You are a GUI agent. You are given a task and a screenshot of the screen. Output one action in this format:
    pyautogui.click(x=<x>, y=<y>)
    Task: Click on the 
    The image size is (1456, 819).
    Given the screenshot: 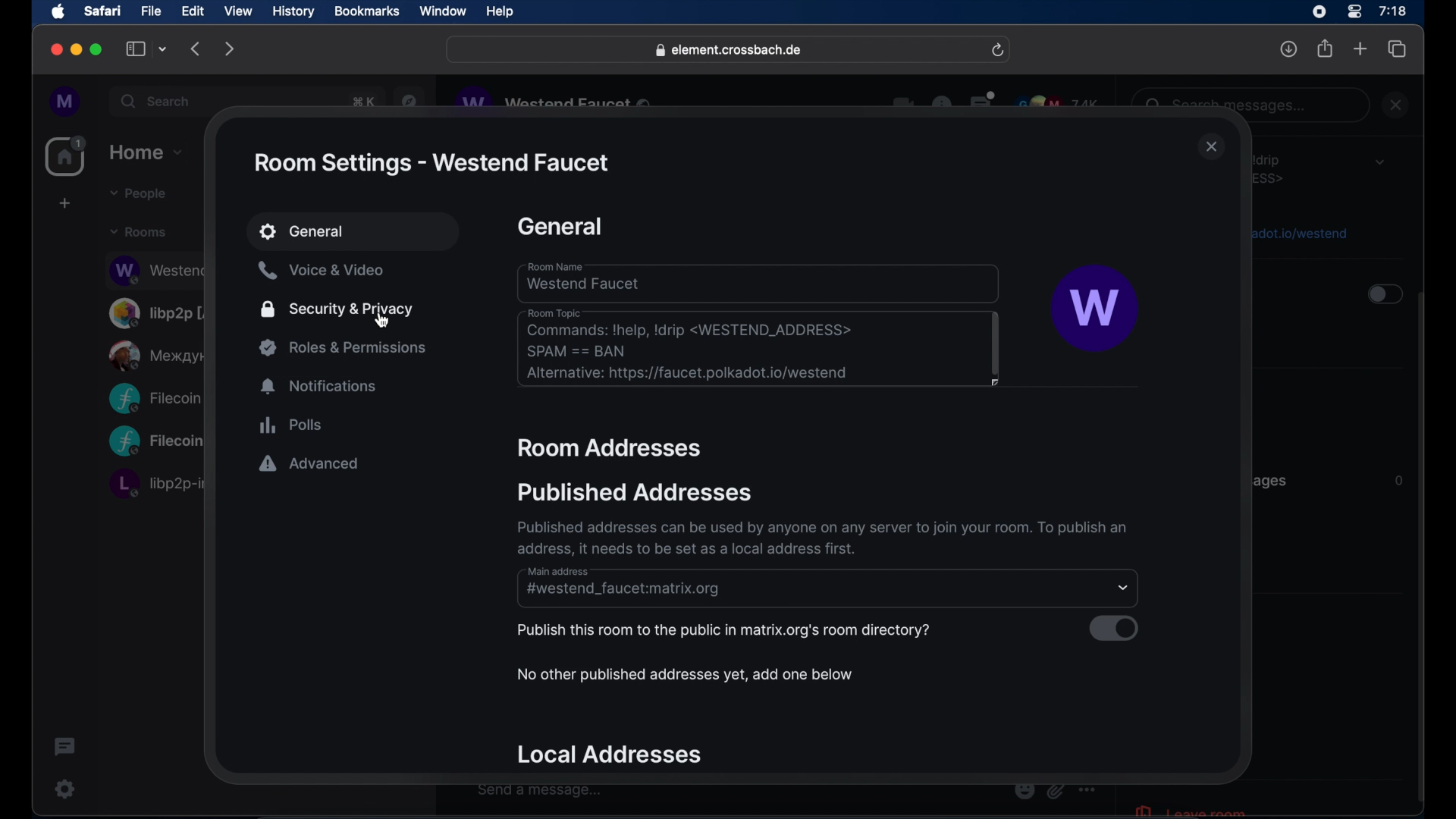 What is the action you would take?
    pyautogui.click(x=1398, y=481)
    